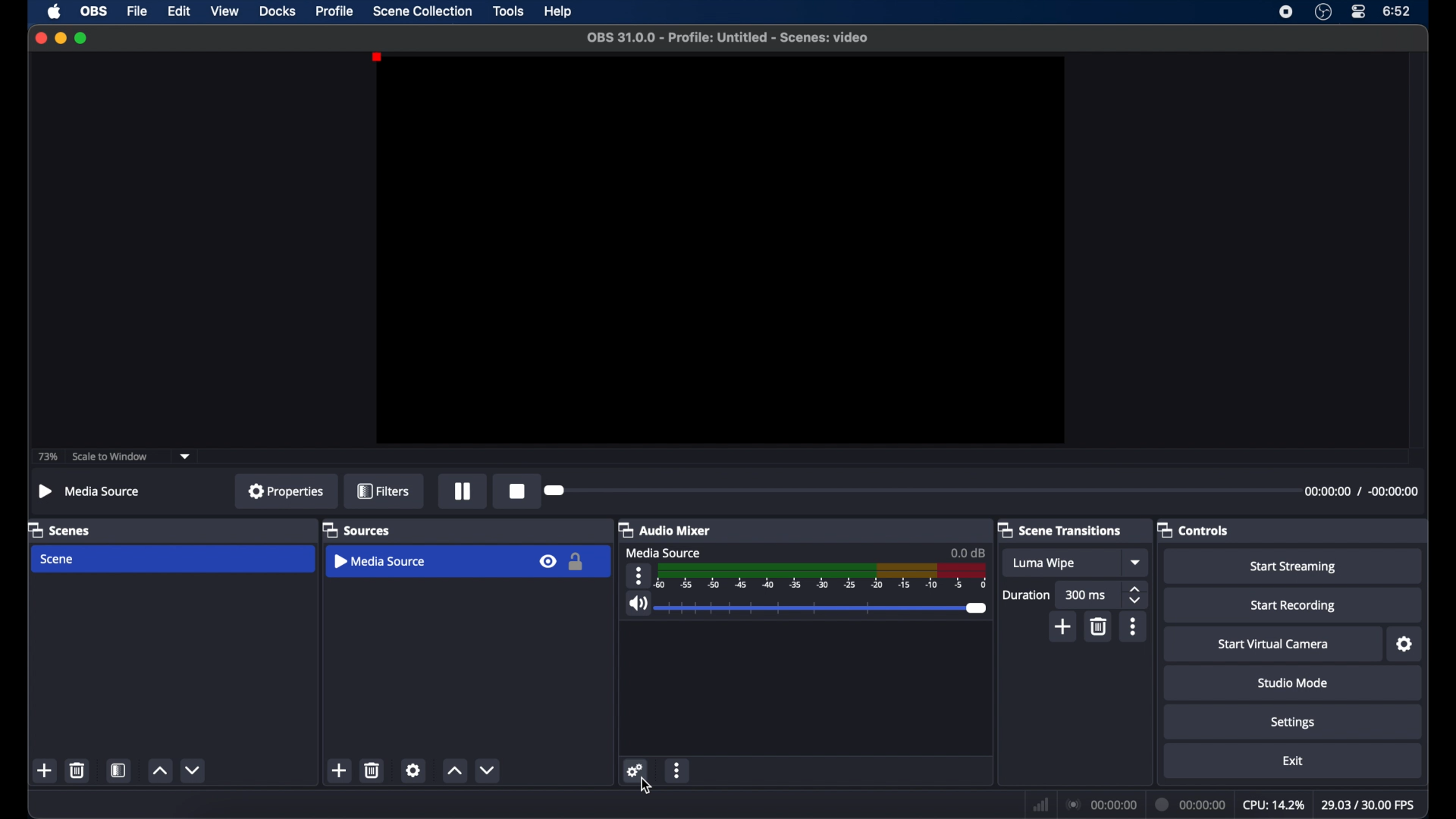 The height and width of the screenshot is (819, 1456). What do you see at coordinates (1194, 531) in the screenshot?
I see `controls` at bounding box center [1194, 531].